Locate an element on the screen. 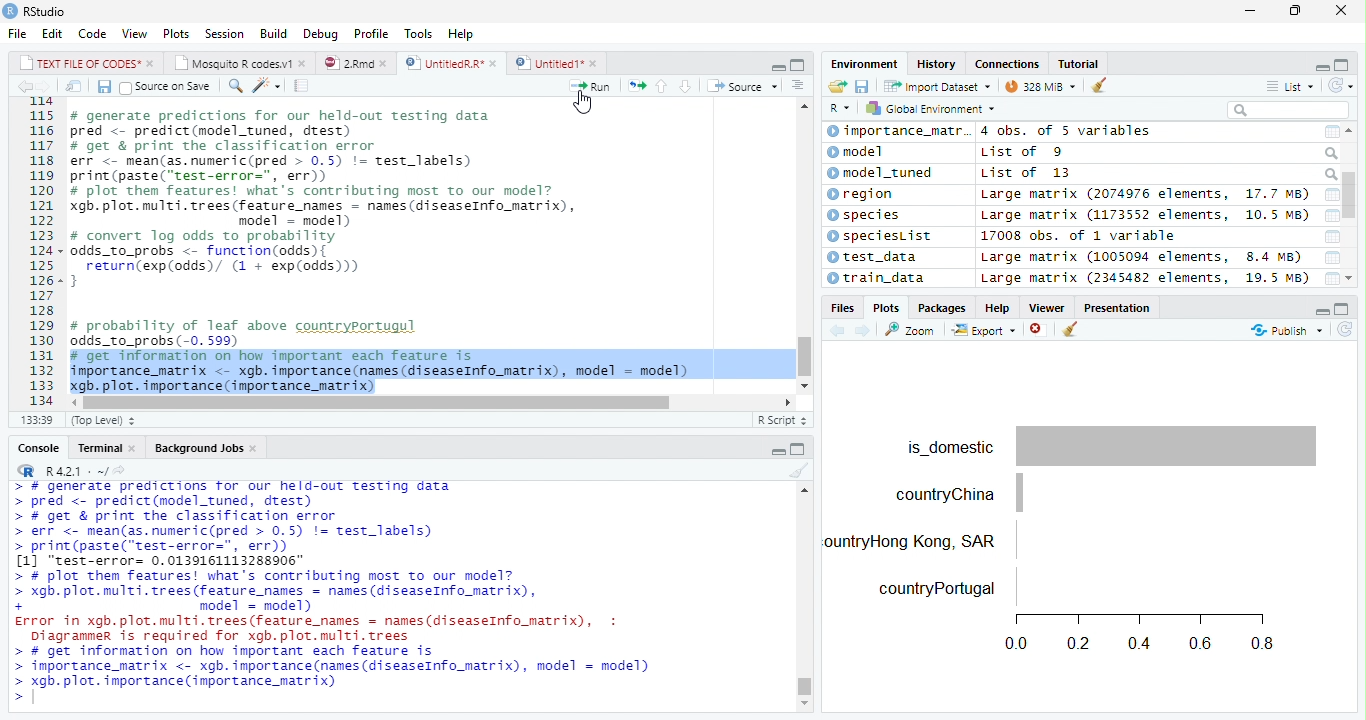 This screenshot has width=1366, height=720. R is located at coordinates (840, 106).